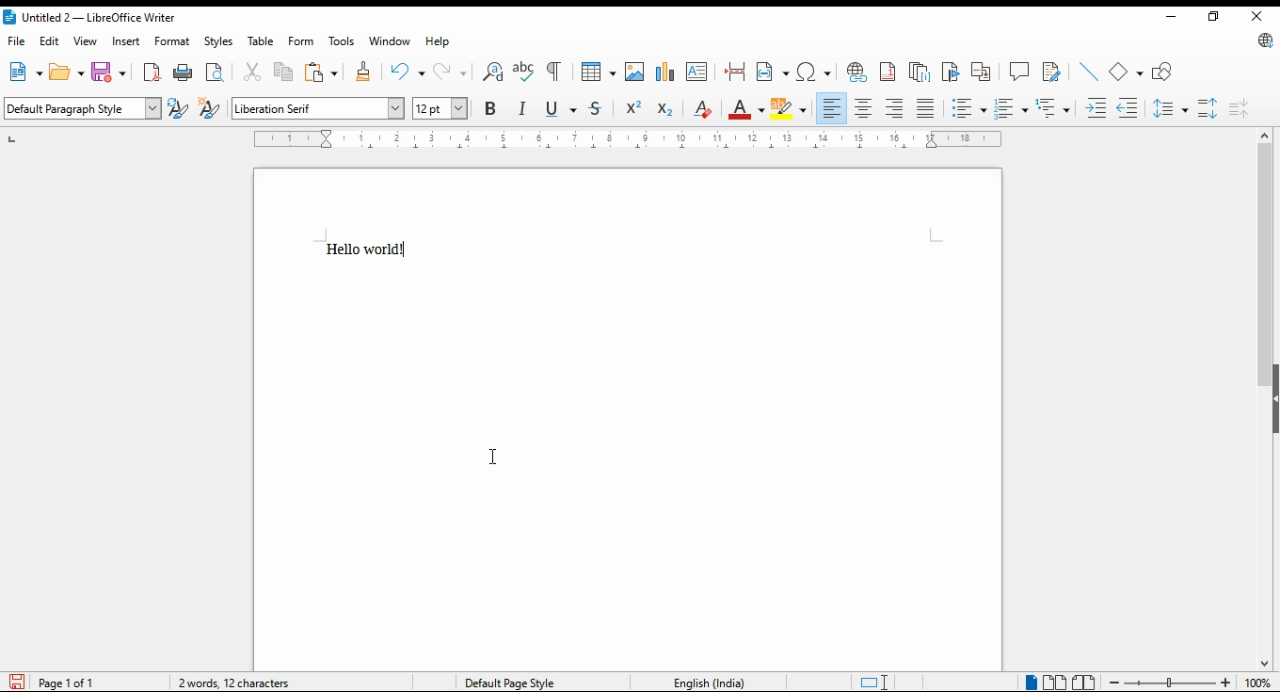 This screenshot has height=692, width=1280. What do you see at coordinates (554, 69) in the screenshot?
I see `toggle formatting marks` at bounding box center [554, 69].